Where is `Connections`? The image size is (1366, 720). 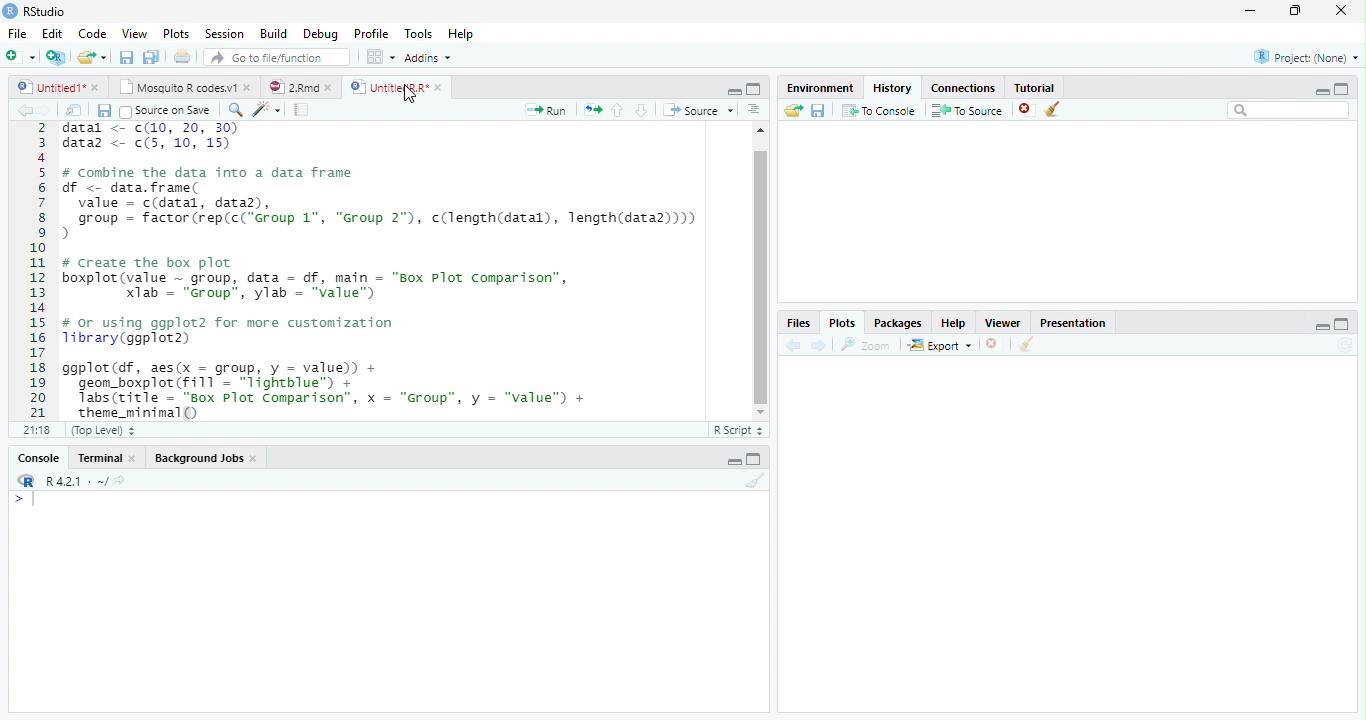 Connections is located at coordinates (963, 88).